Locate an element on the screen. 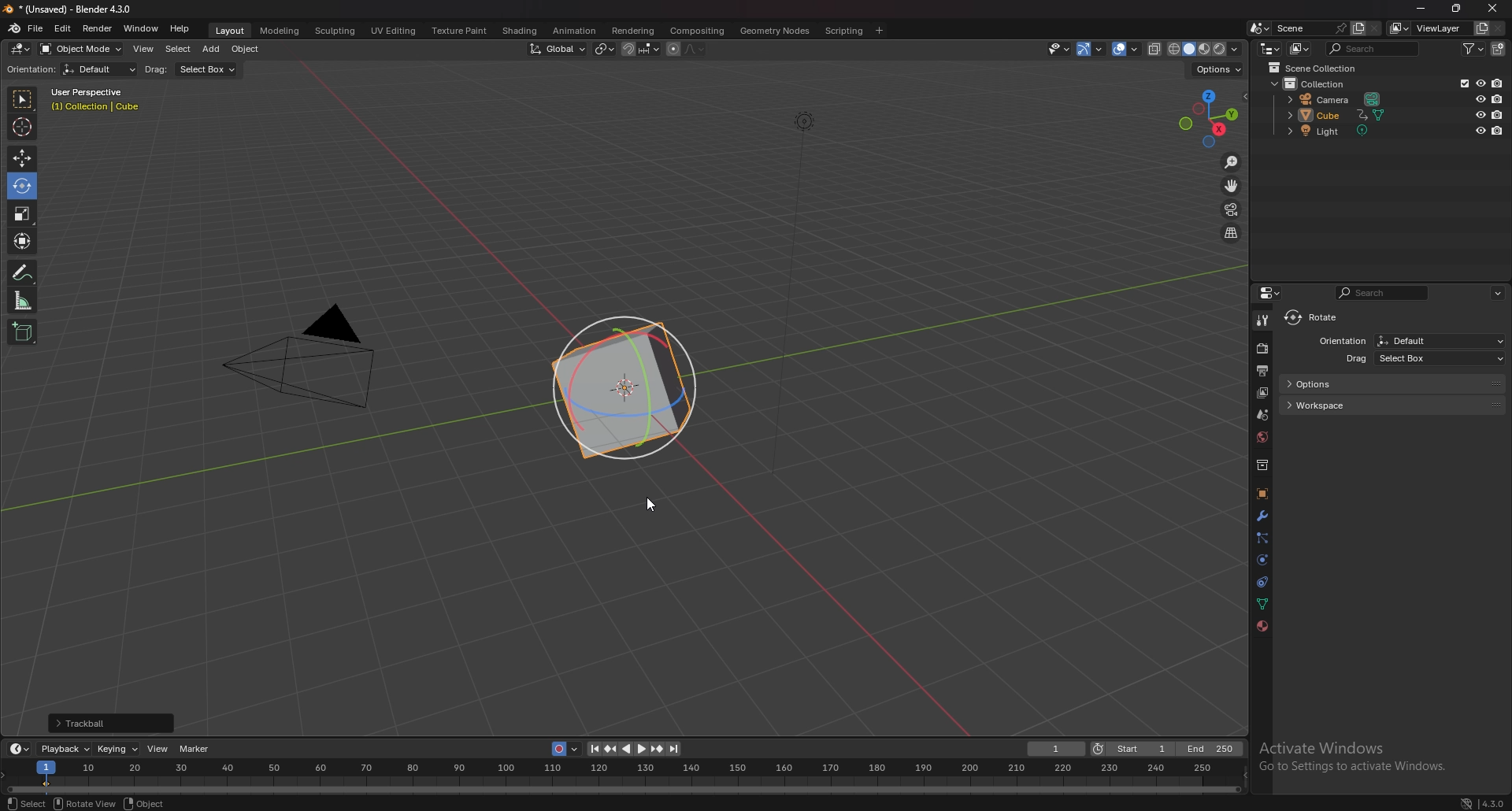 This screenshot has height=811, width=1512. options is located at coordinates (1218, 69).